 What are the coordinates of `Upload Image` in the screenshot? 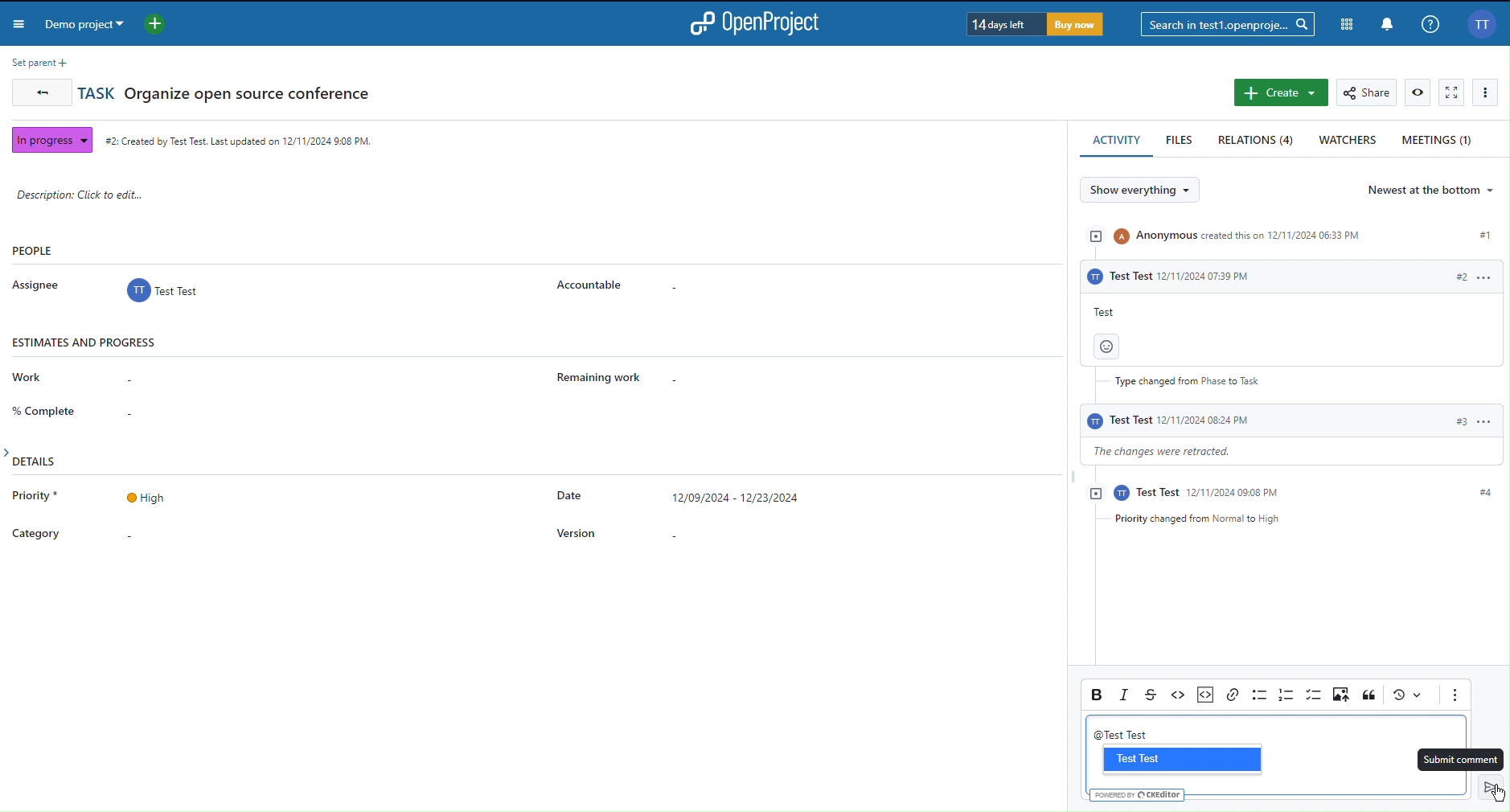 It's located at (1343, 695).